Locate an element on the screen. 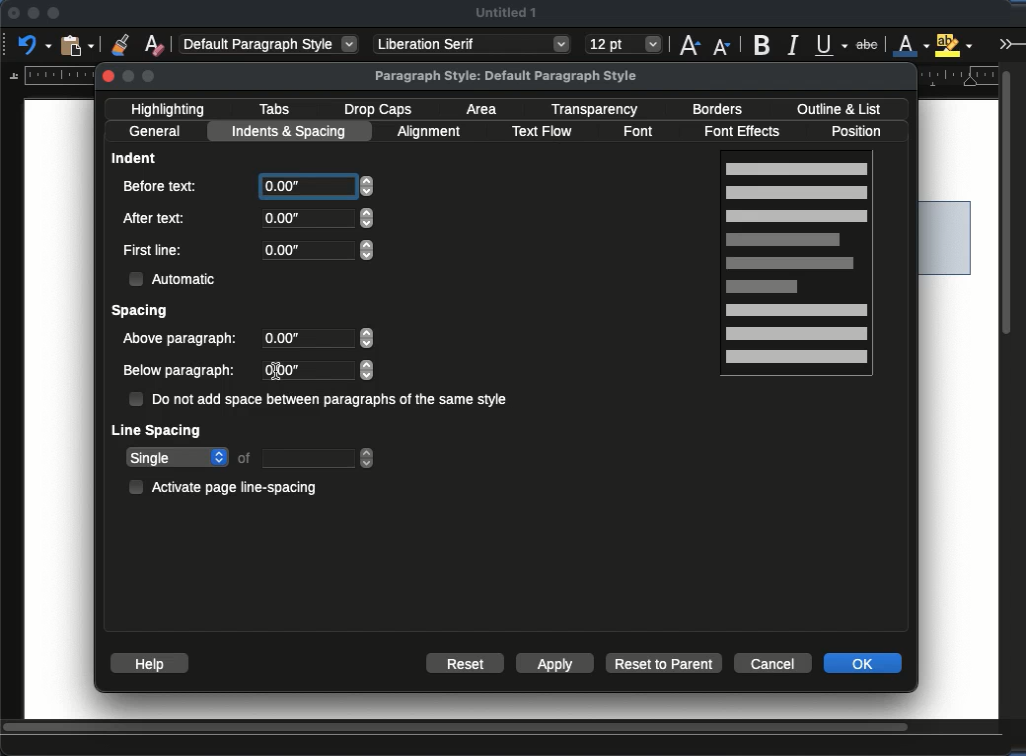 Image resolution: width=1026 pixels, height=756 pixels. 0.00 is located at coordinates (337, 371).